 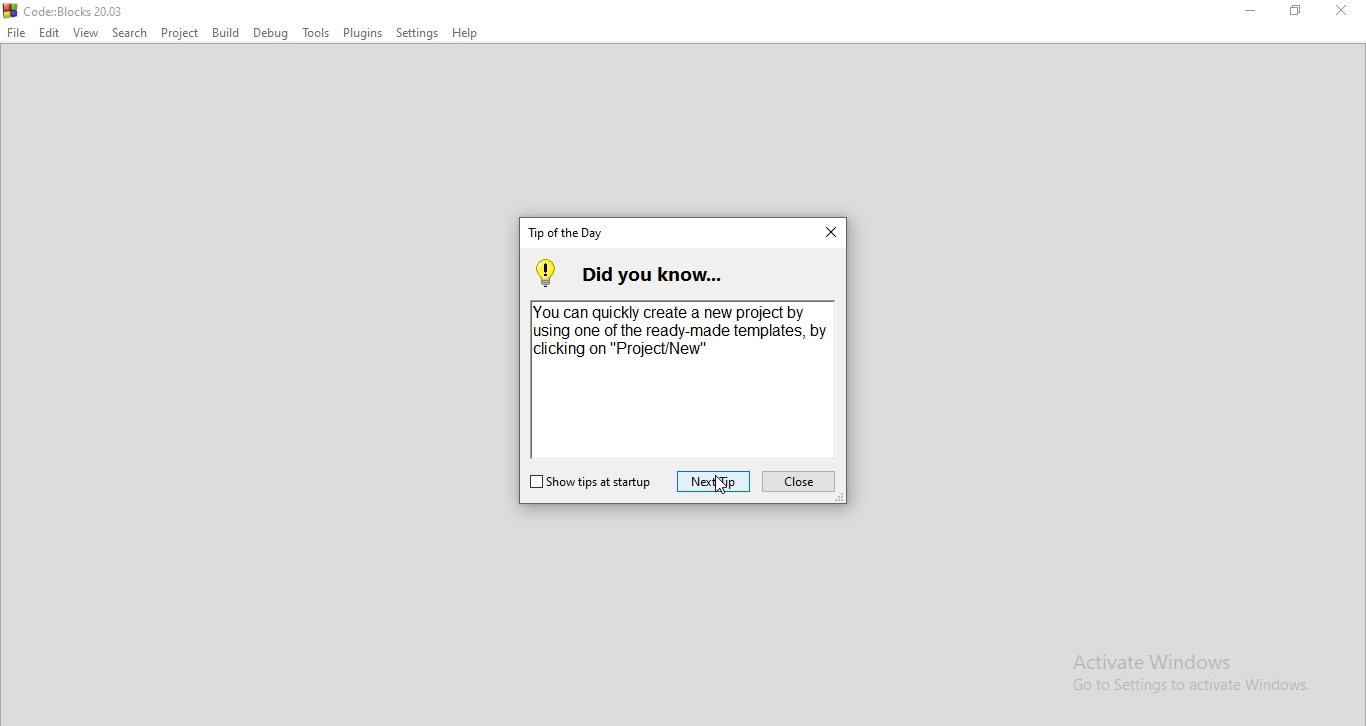 What do you see at coordinates (720, 486) in the screenshot?
I see `cursor on Next Tip` at bounding box center [720, 486].